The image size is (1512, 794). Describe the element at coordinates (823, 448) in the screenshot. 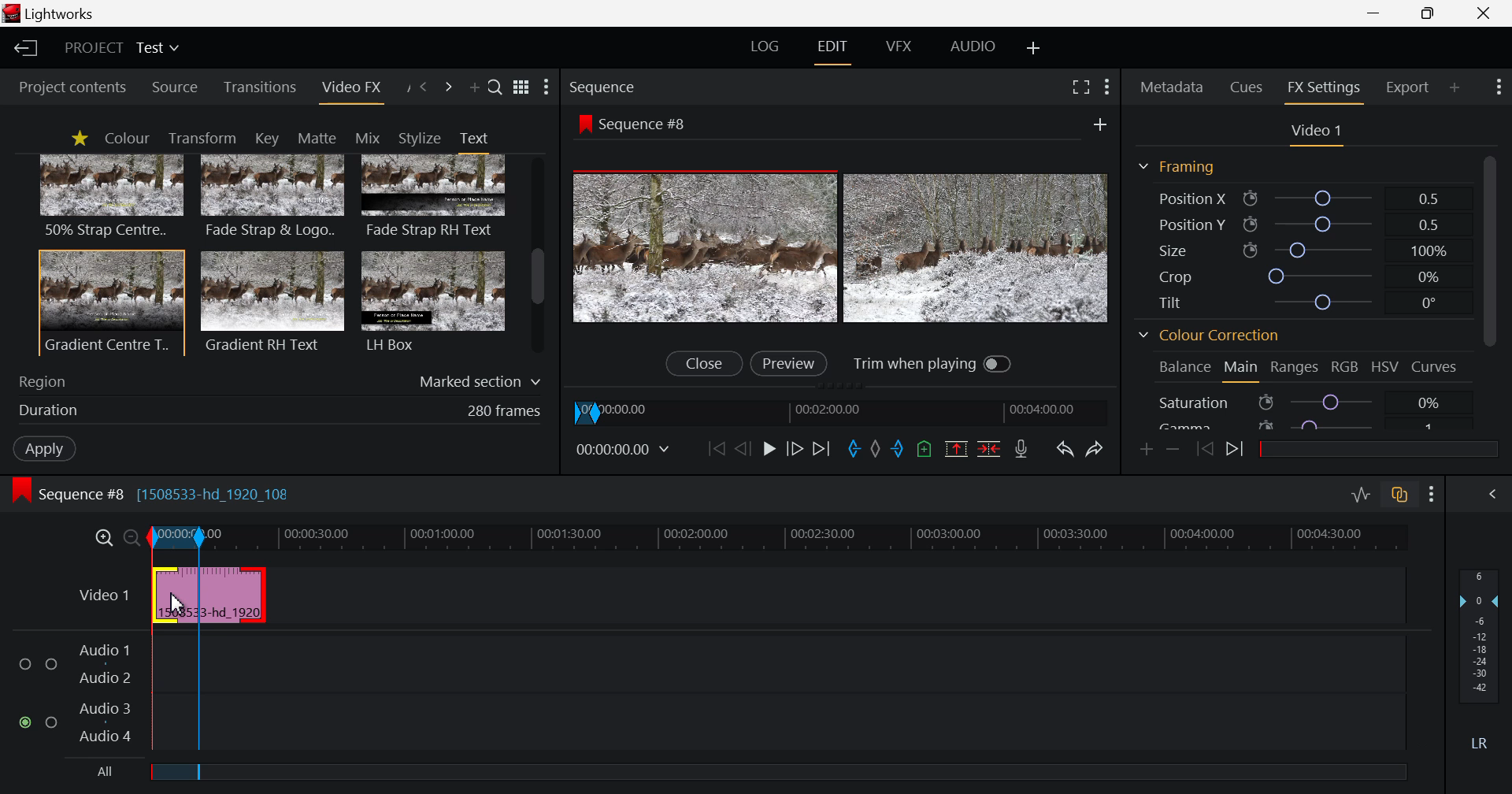

I see `To End` at that location.